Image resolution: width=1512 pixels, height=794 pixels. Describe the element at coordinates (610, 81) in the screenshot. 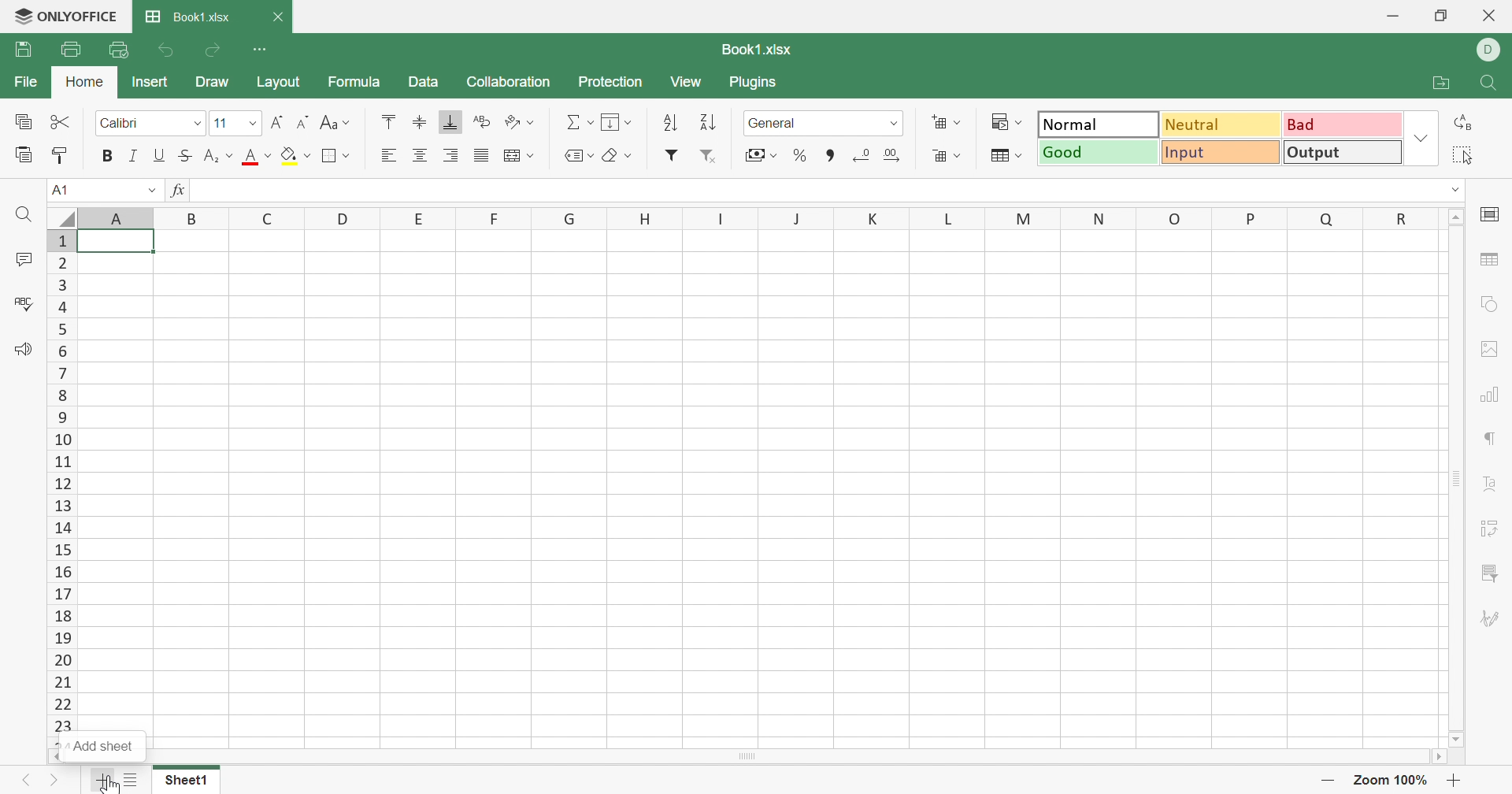

I see `Protection` at that location.